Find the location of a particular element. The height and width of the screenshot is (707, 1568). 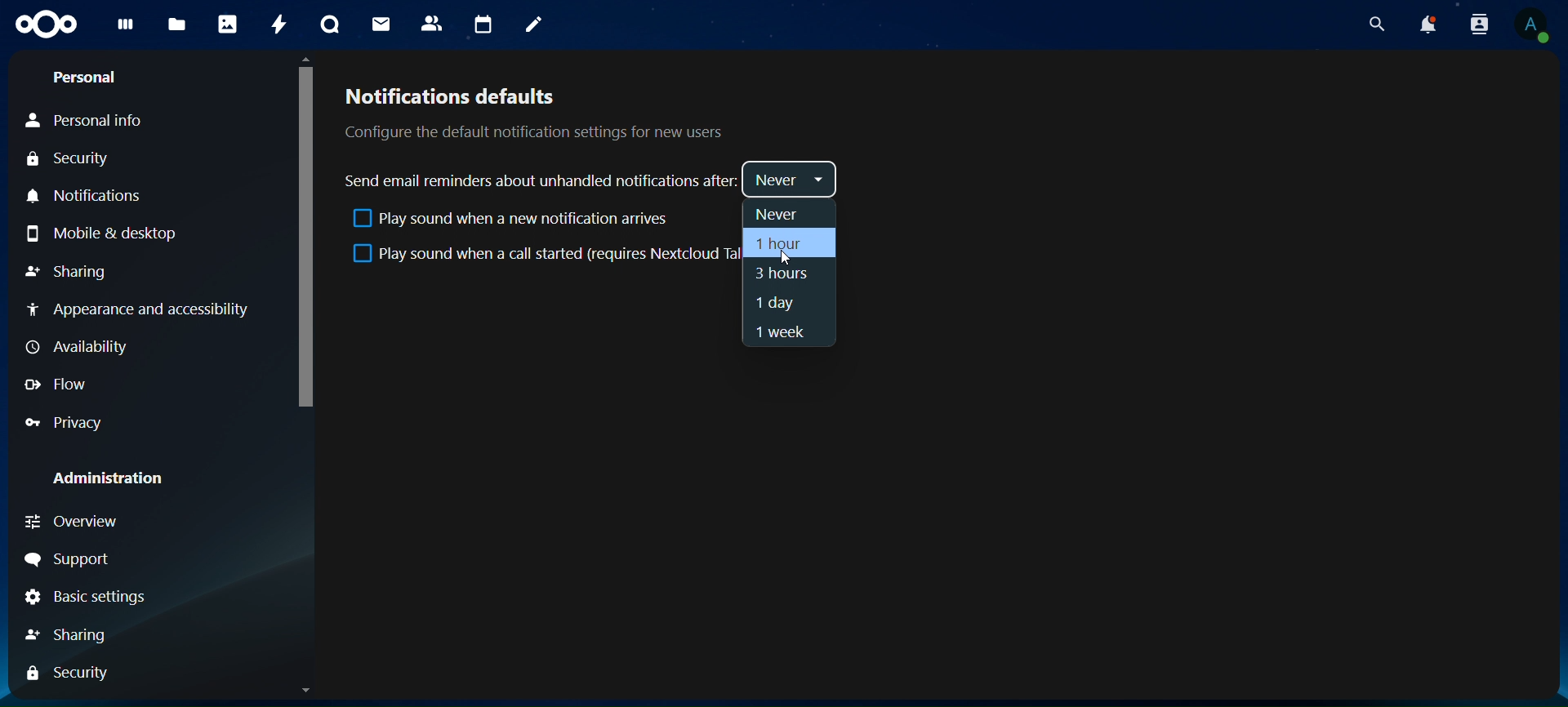

Security is located at coordinates (66, 674).